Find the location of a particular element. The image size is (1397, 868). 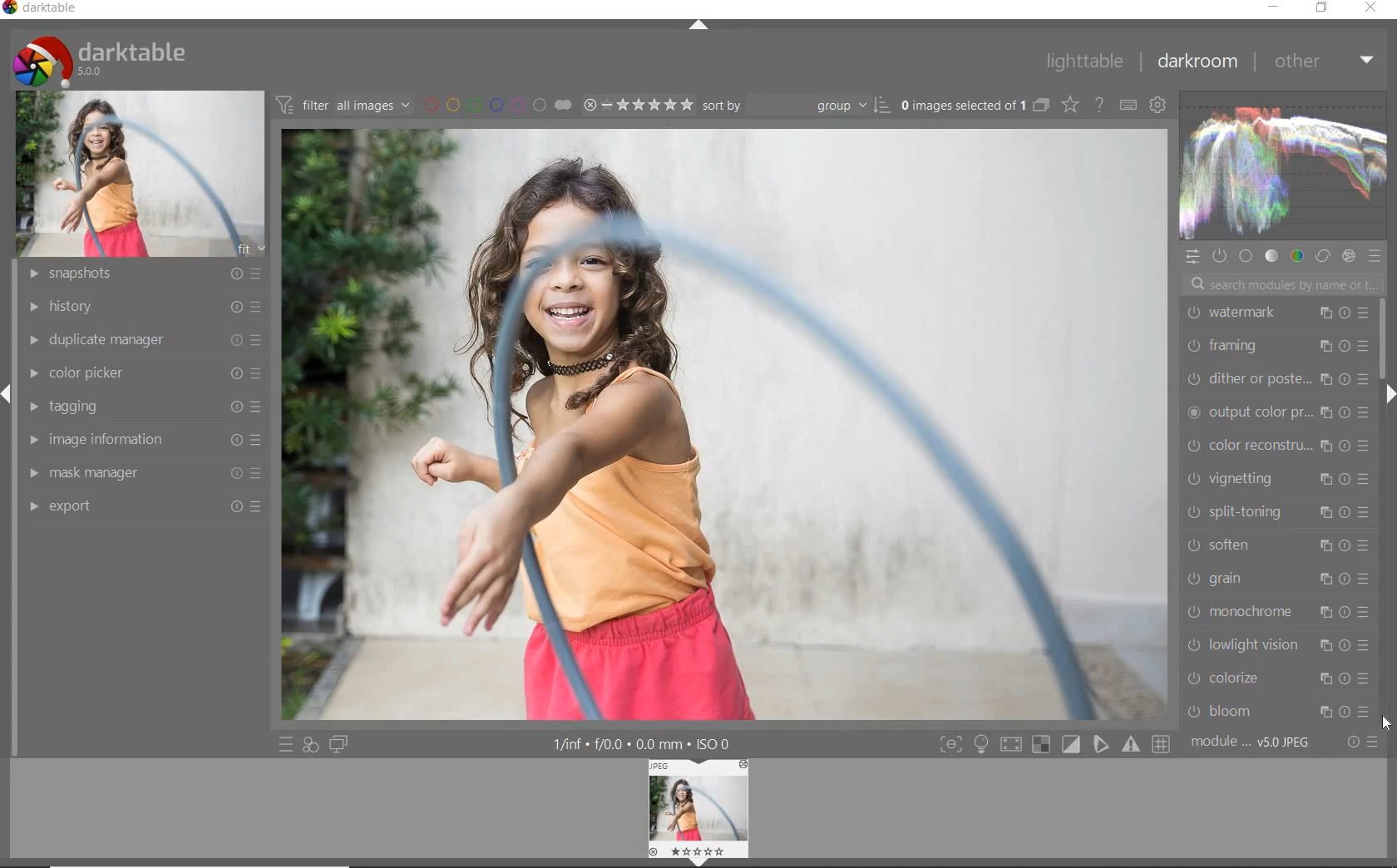

history is located at coordinates (139, 305).